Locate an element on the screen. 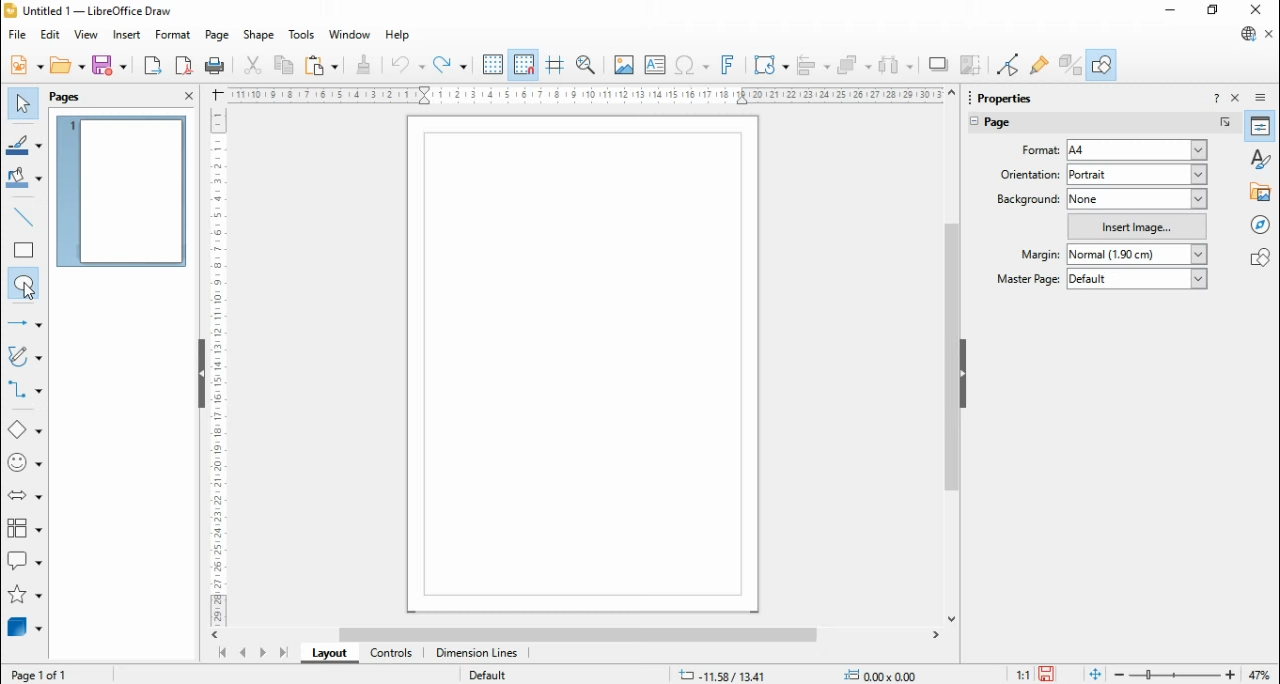  sidebar deck settings is located at coordinates (1262, 98).